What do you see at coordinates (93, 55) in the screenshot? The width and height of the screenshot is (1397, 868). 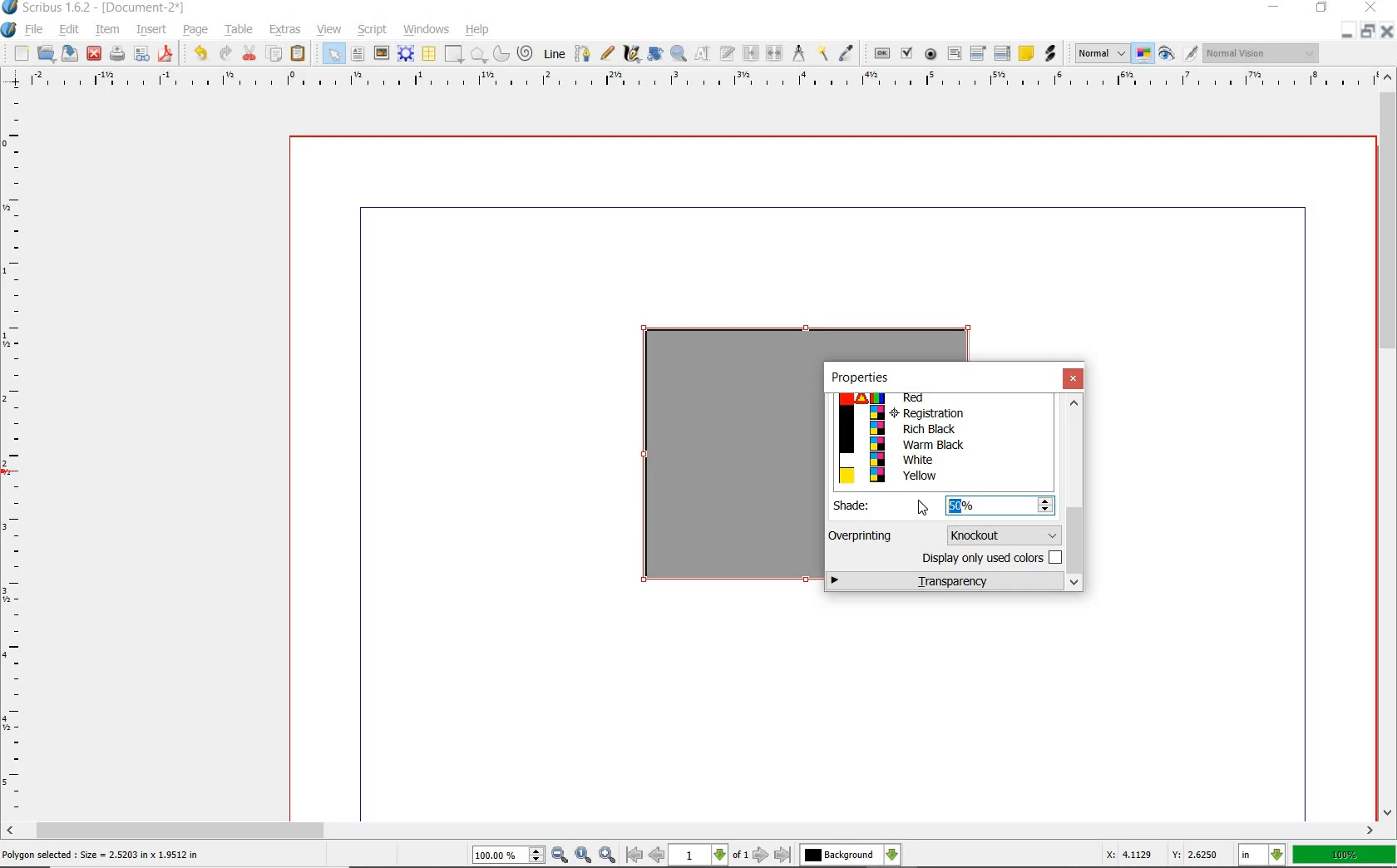 I see `close` at bounding box center [93, 55].